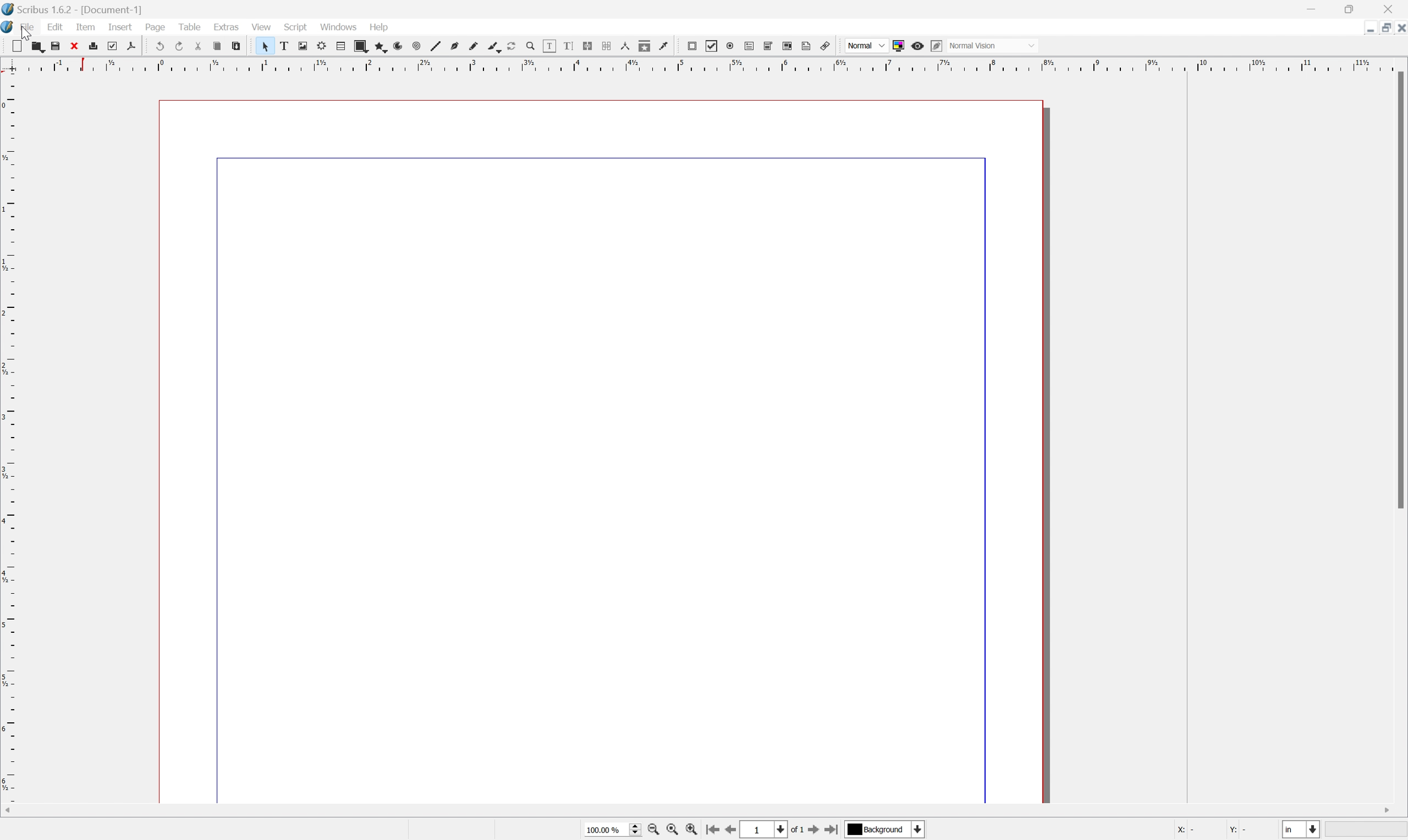 The width and height of the screenshot is (1408, 840). Describe the element at coordinates (1303, 831) in the screenshot. I see `in` at that location.